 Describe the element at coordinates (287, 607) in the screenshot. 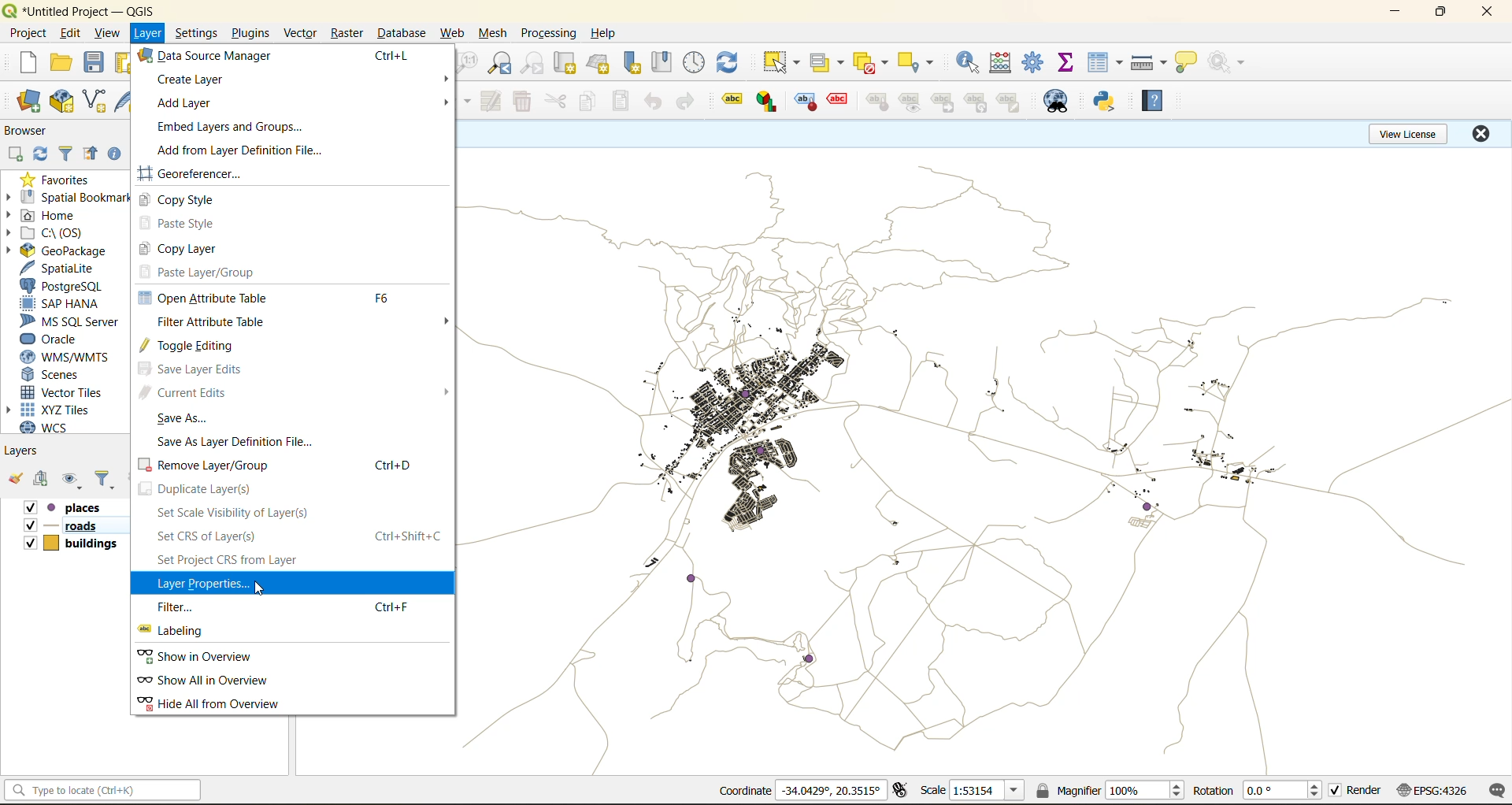

I see `filter` at that location.